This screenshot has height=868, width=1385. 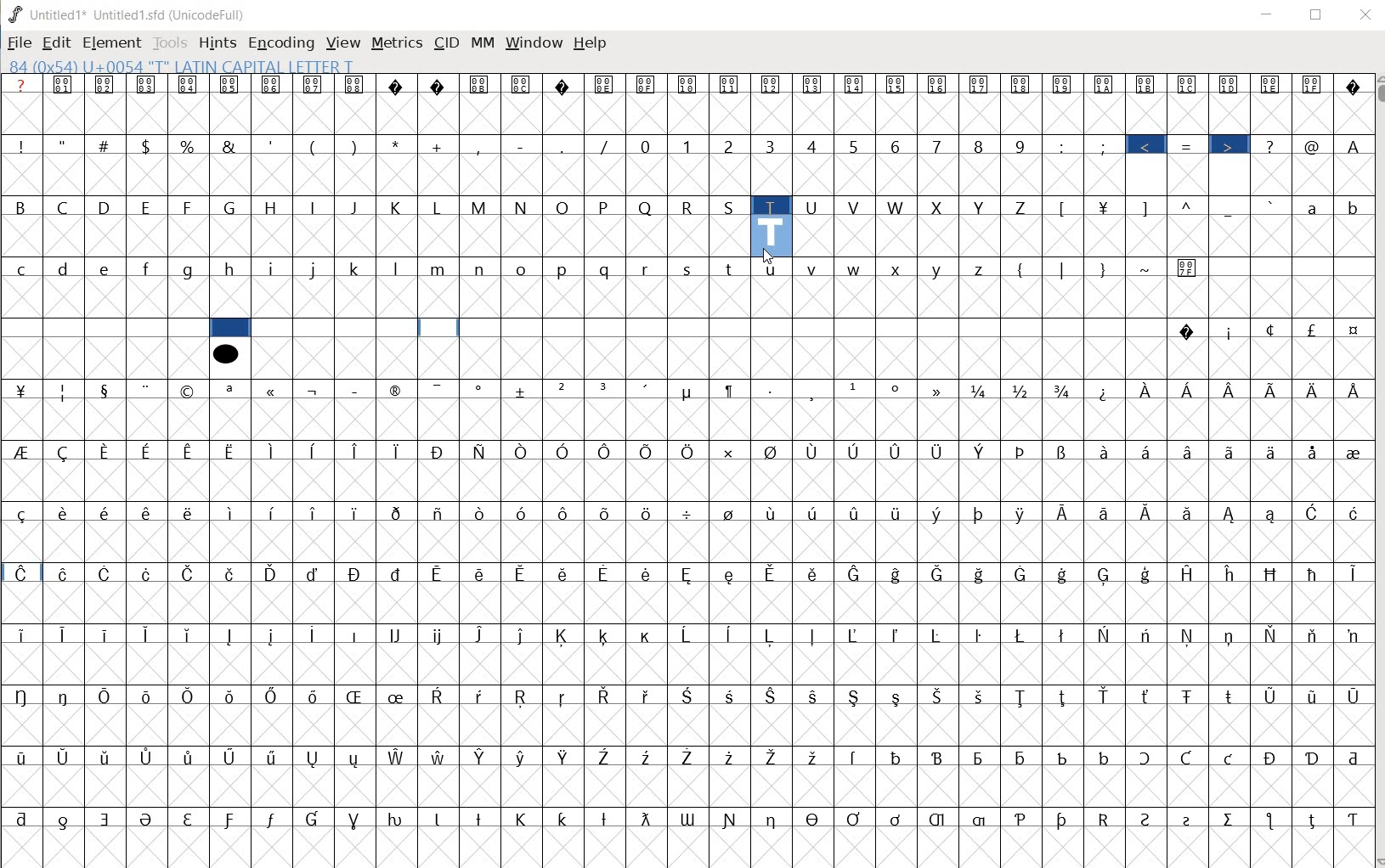 I want to click on 9, so click(x=1020, y=146).